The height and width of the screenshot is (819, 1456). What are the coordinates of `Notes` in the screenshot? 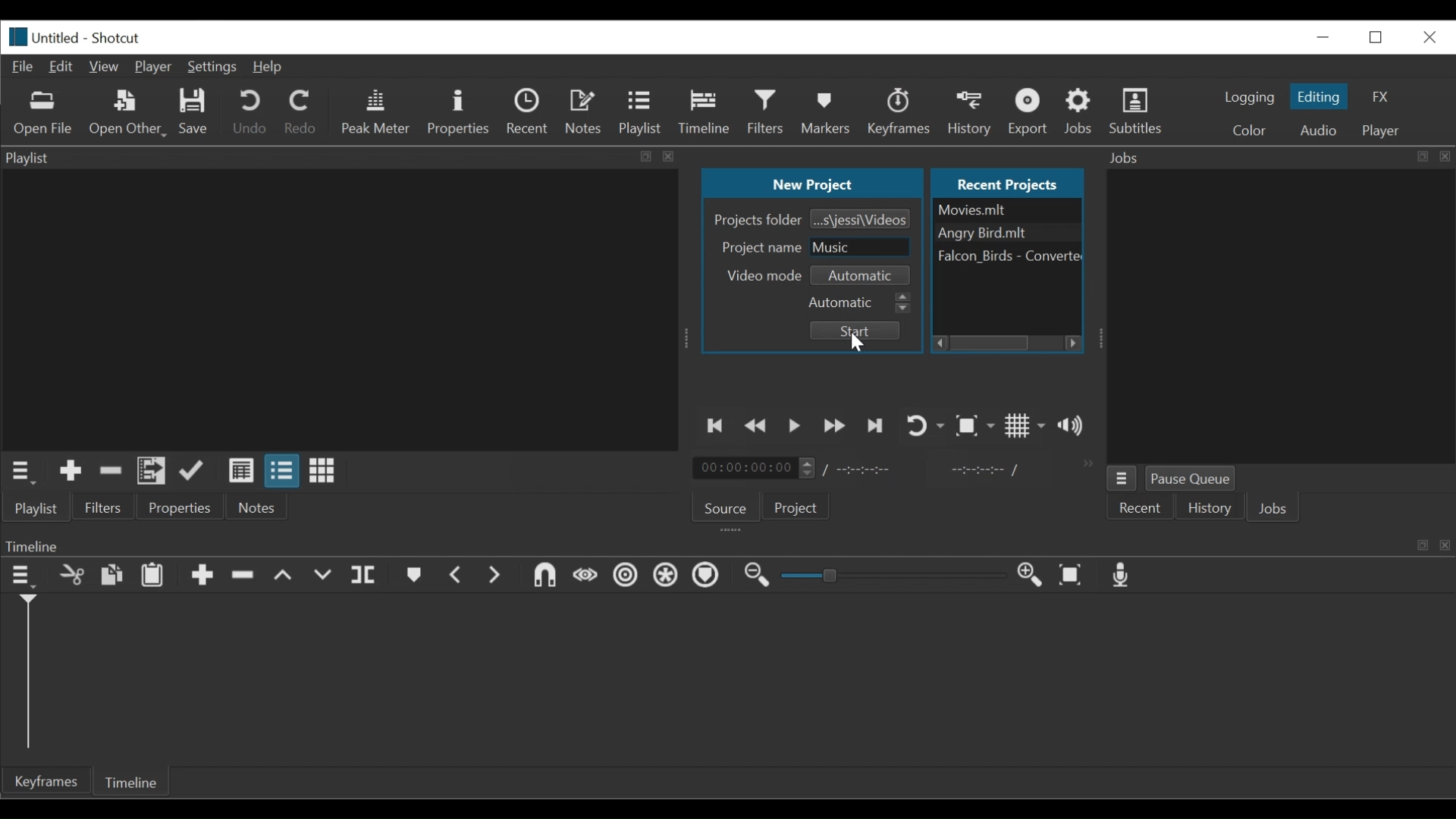 It's located at (258, 507).